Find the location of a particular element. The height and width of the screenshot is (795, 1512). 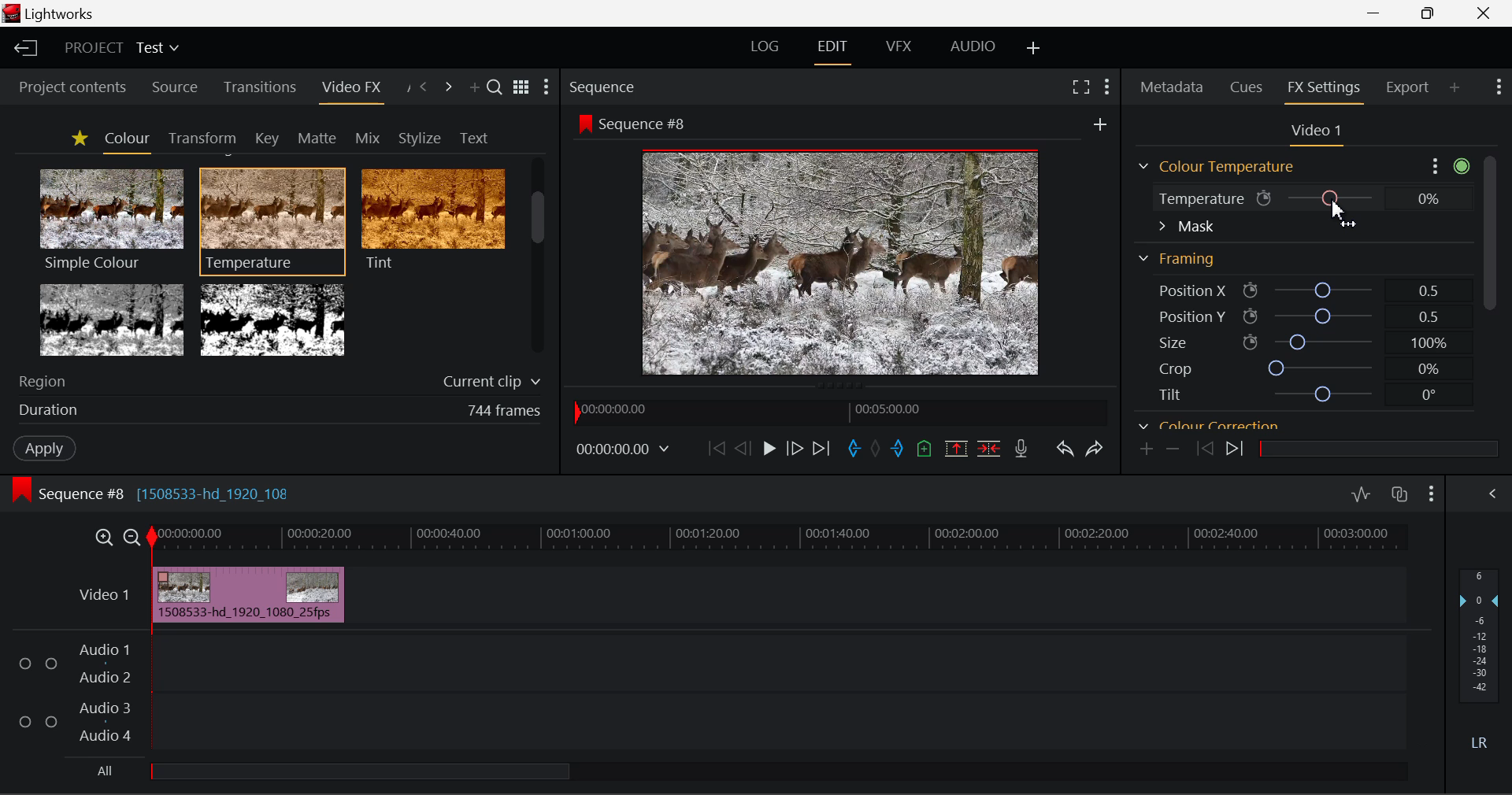

0% is located at coordinates (1427, 198).